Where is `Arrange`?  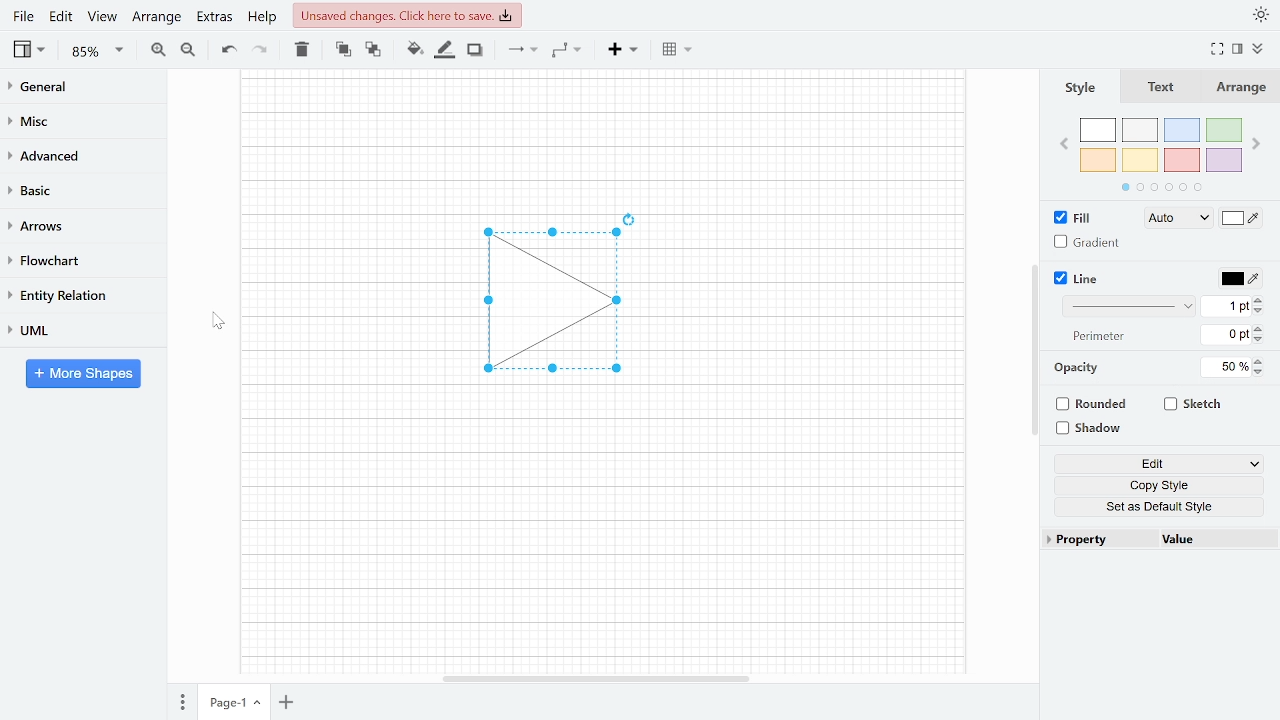 Arrange is located at coordinates (1239, 87).